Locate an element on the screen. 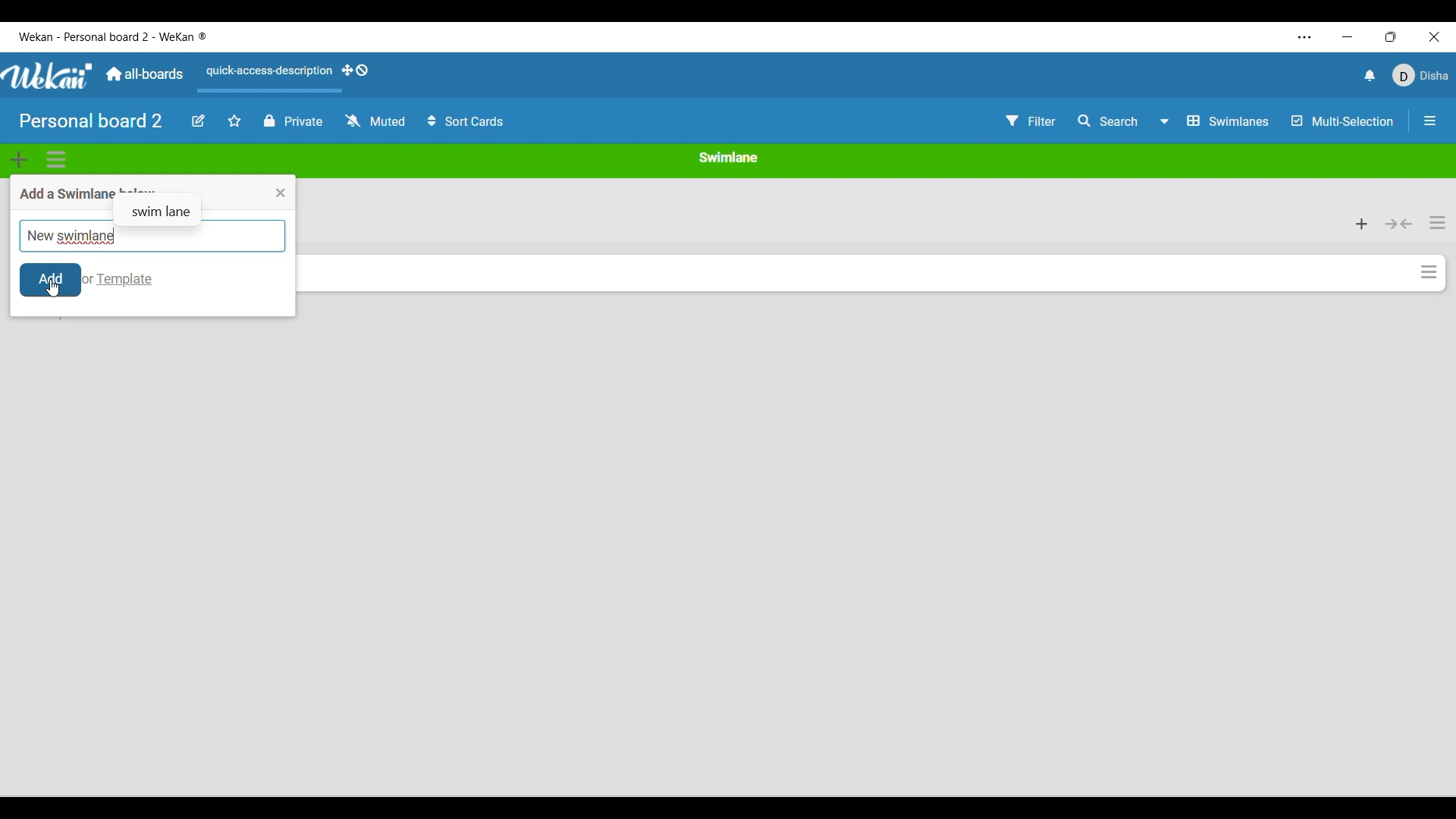  Show interface in a smaller tab is located at coordinates (1391, 37).